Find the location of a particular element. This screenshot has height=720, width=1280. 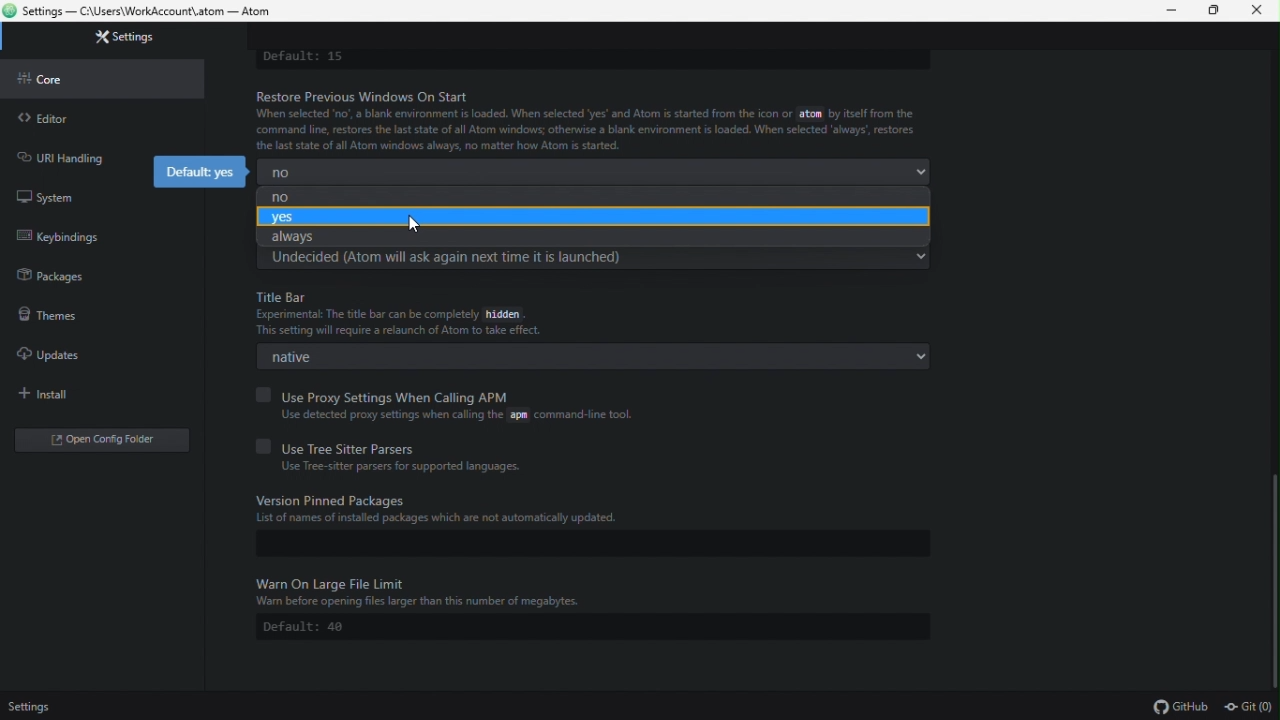

Title Bar Experimental: The tital bar can be completely hidden. This setting will require a relaunch of Atom to take effect. is located at coordinates (591, 312).